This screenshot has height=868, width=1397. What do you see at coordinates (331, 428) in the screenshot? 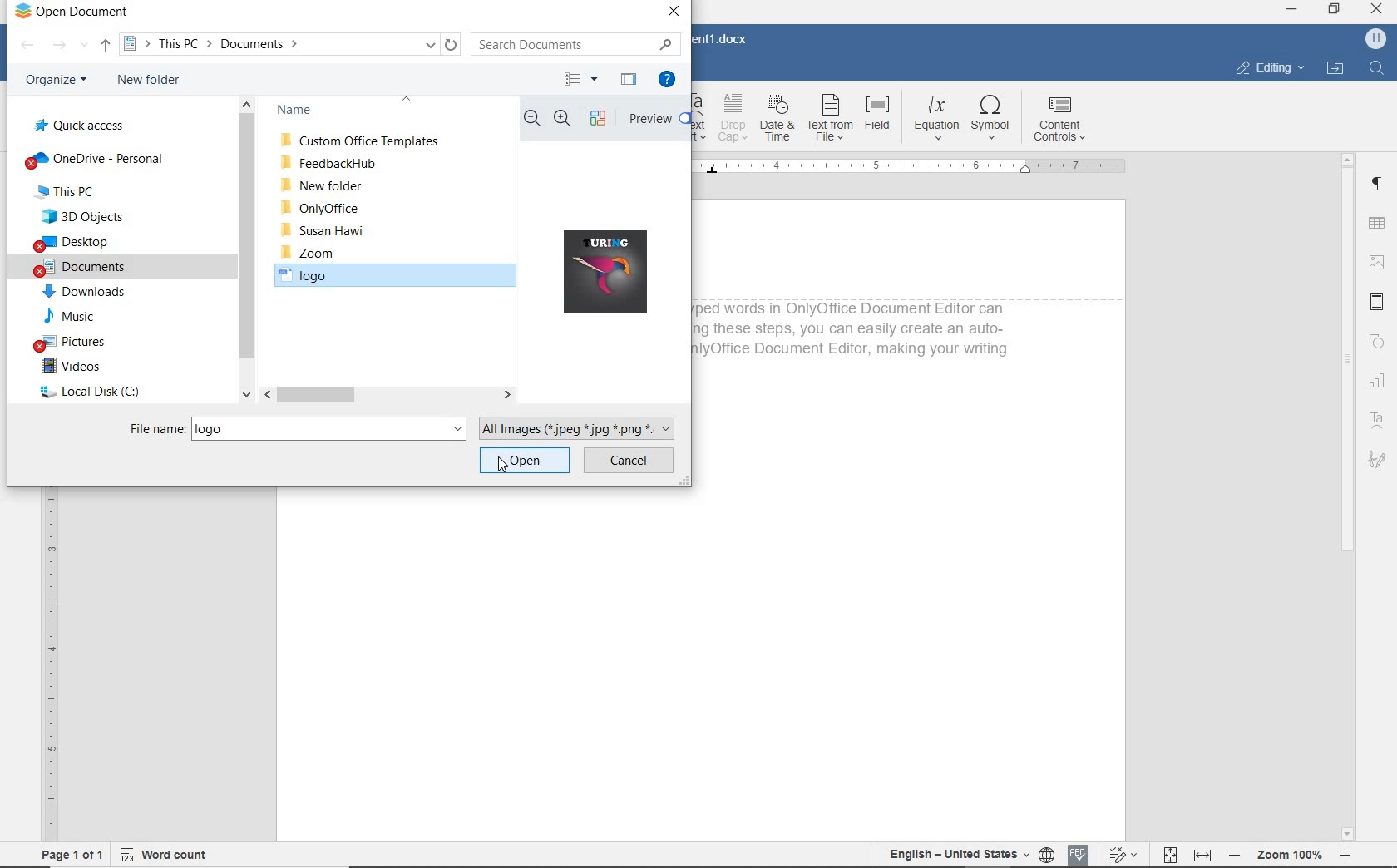
I see `search bar` at bounding box center [331, 428].